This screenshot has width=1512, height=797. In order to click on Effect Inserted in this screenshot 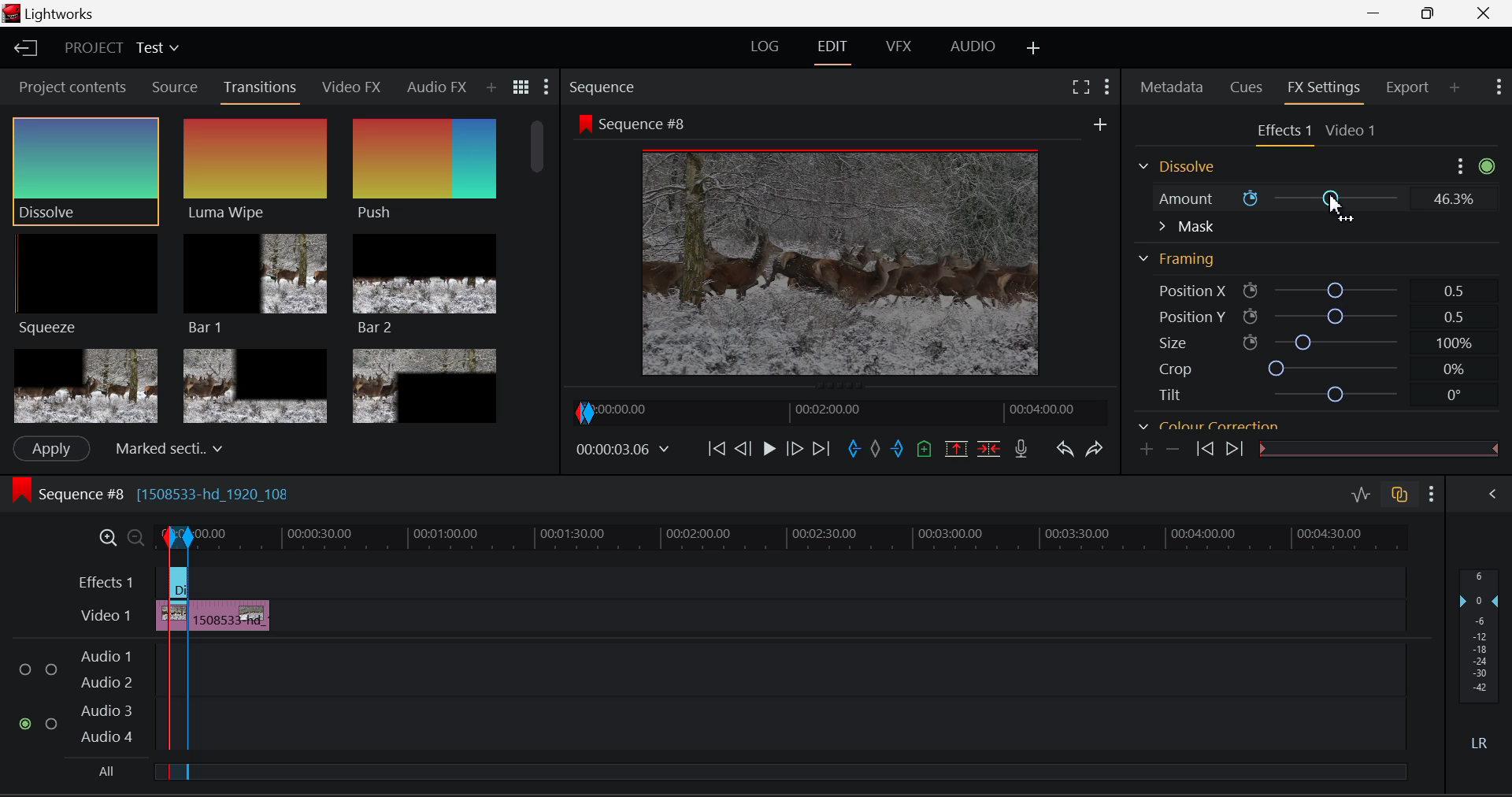, I will do `click(178, 587)`.